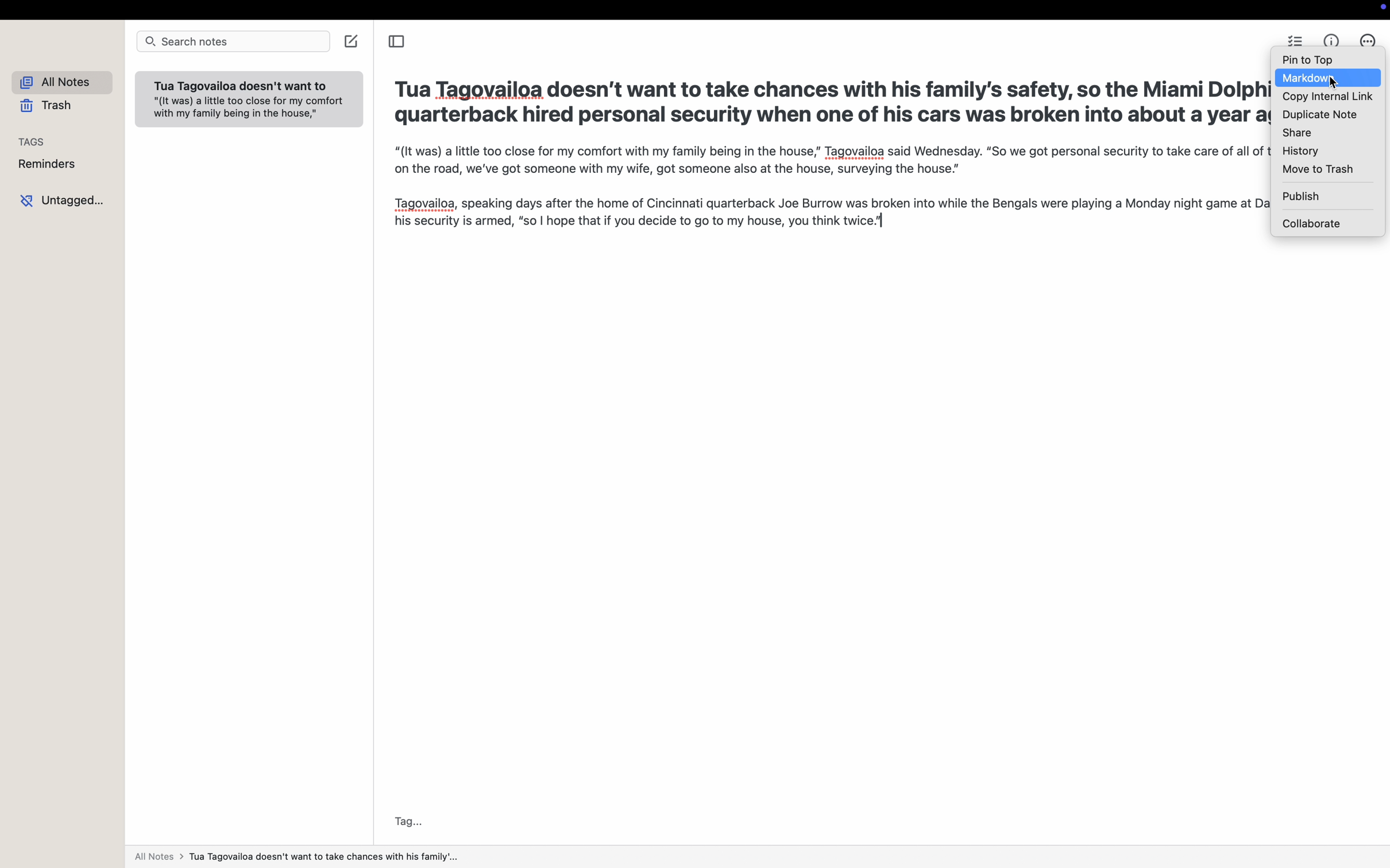 This screenshot has height=868, width=1390. I want to click on Tua Tagovailoa doesn’t want to take chances with his family’s safety, so the Miami Dolphins’ star
quarterback hired personal security when one of his cars was broken into about a year ago., so click(829, 100).